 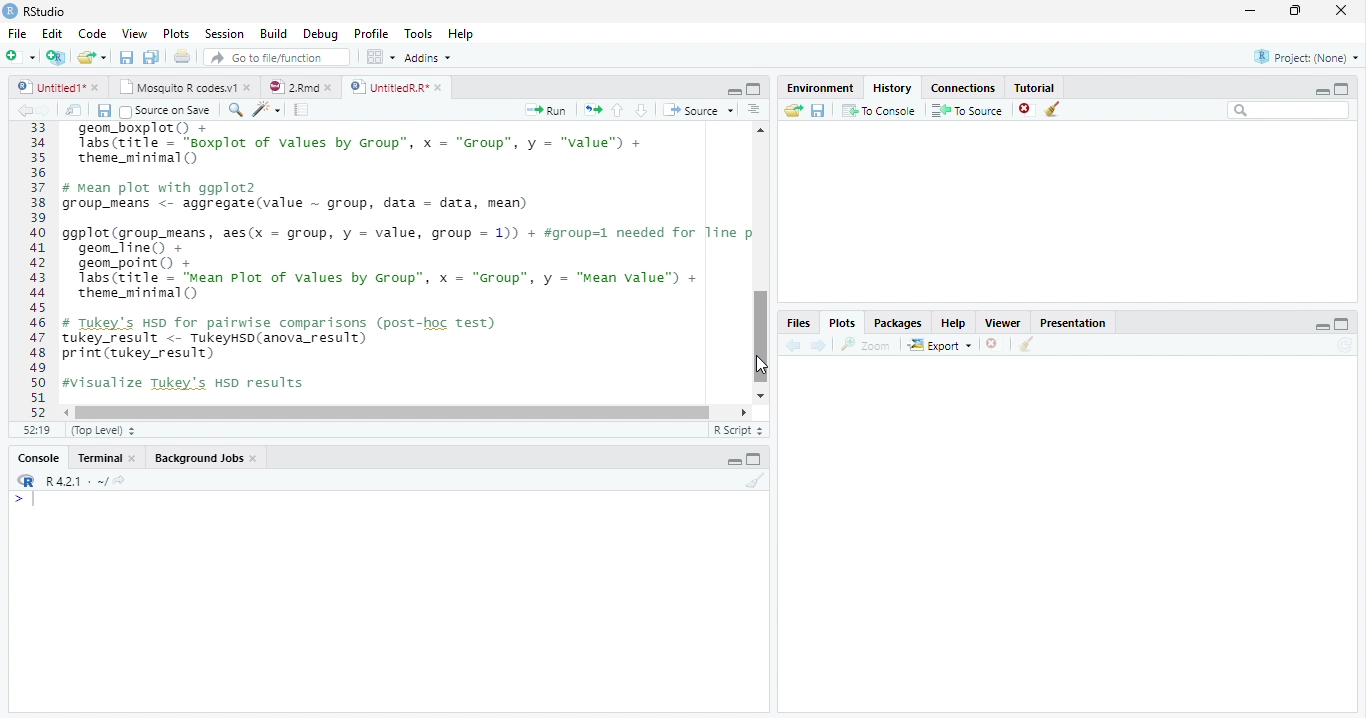 I want to click on Environment, so click(x=820, y=88).